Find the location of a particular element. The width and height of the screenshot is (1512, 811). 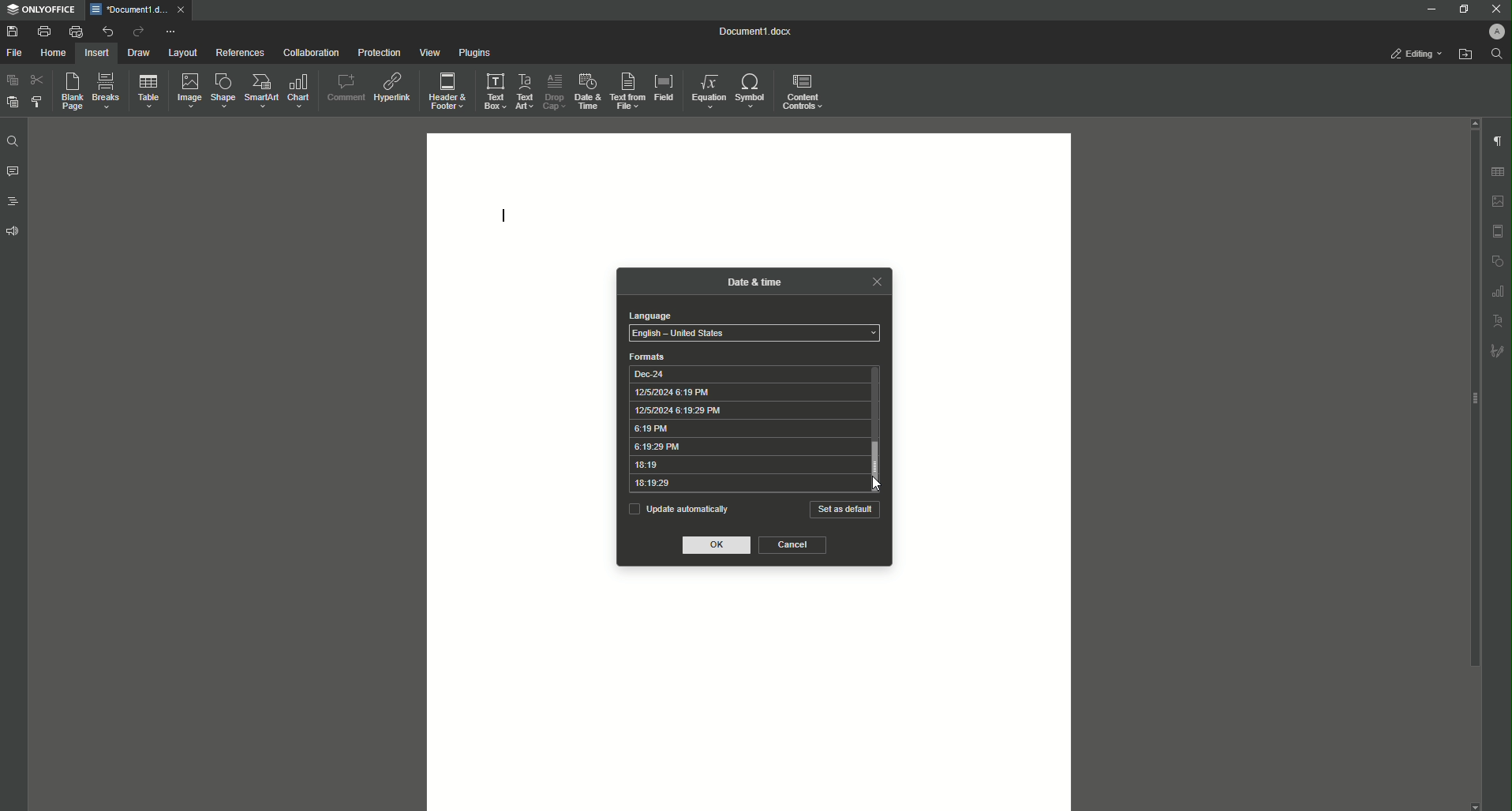

Restore is located at coordinates (1460, 9).